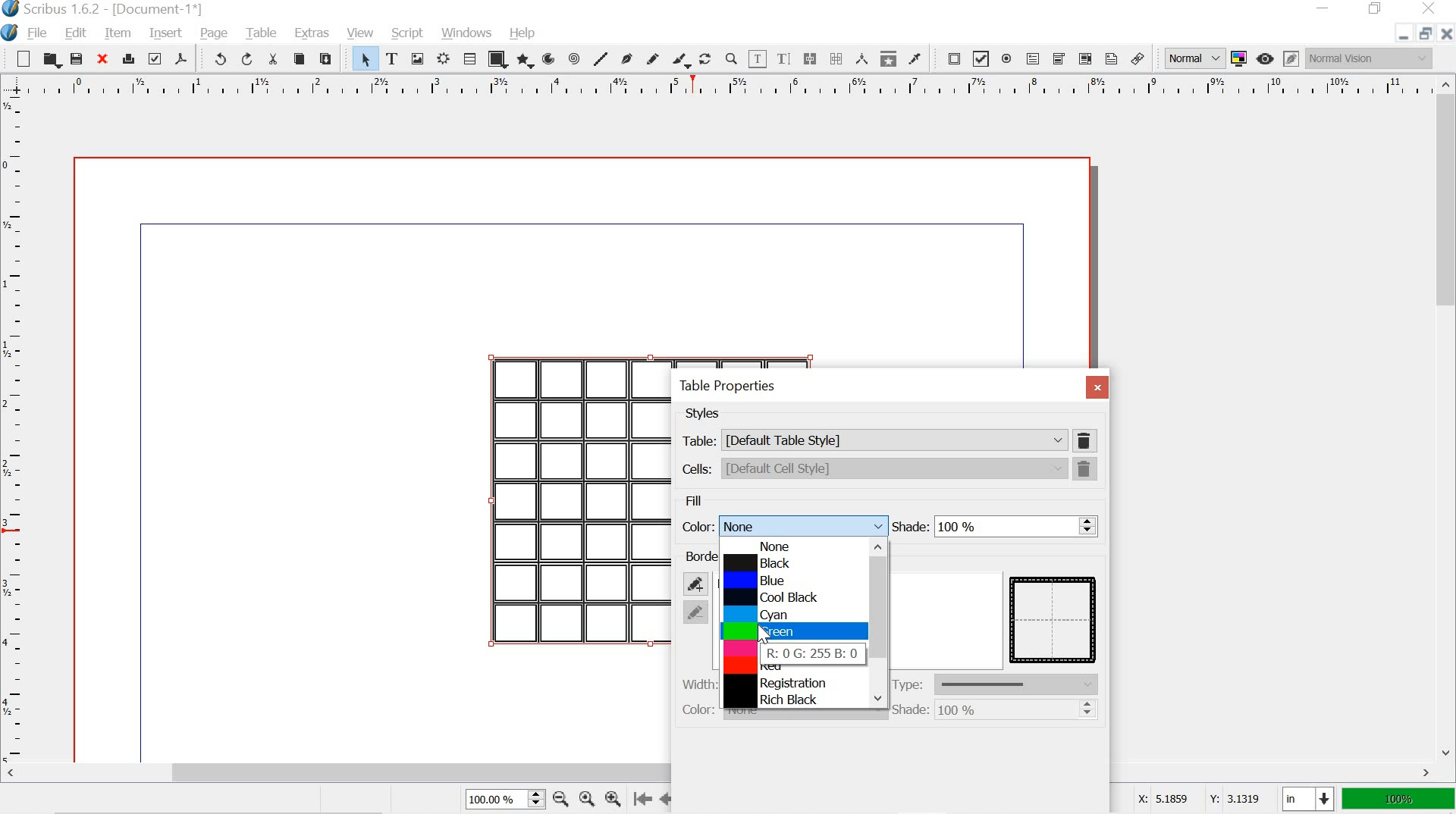 The height and width of the screenshot is (814, 1456). Describe the element at coordinates (361, 33) in the screenshot. I see `view` at that location.